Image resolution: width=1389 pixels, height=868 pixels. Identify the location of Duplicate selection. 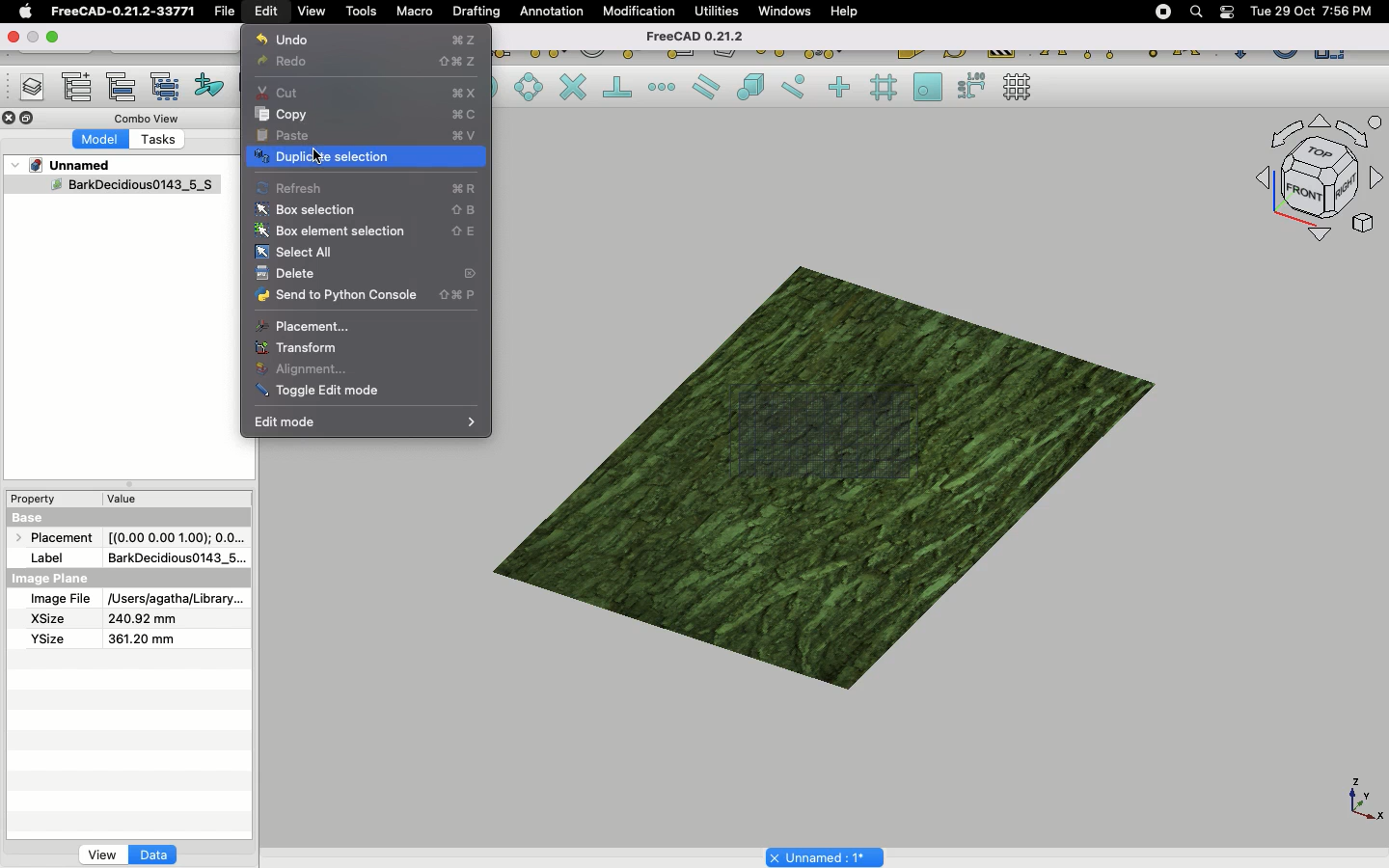
(365, 159).